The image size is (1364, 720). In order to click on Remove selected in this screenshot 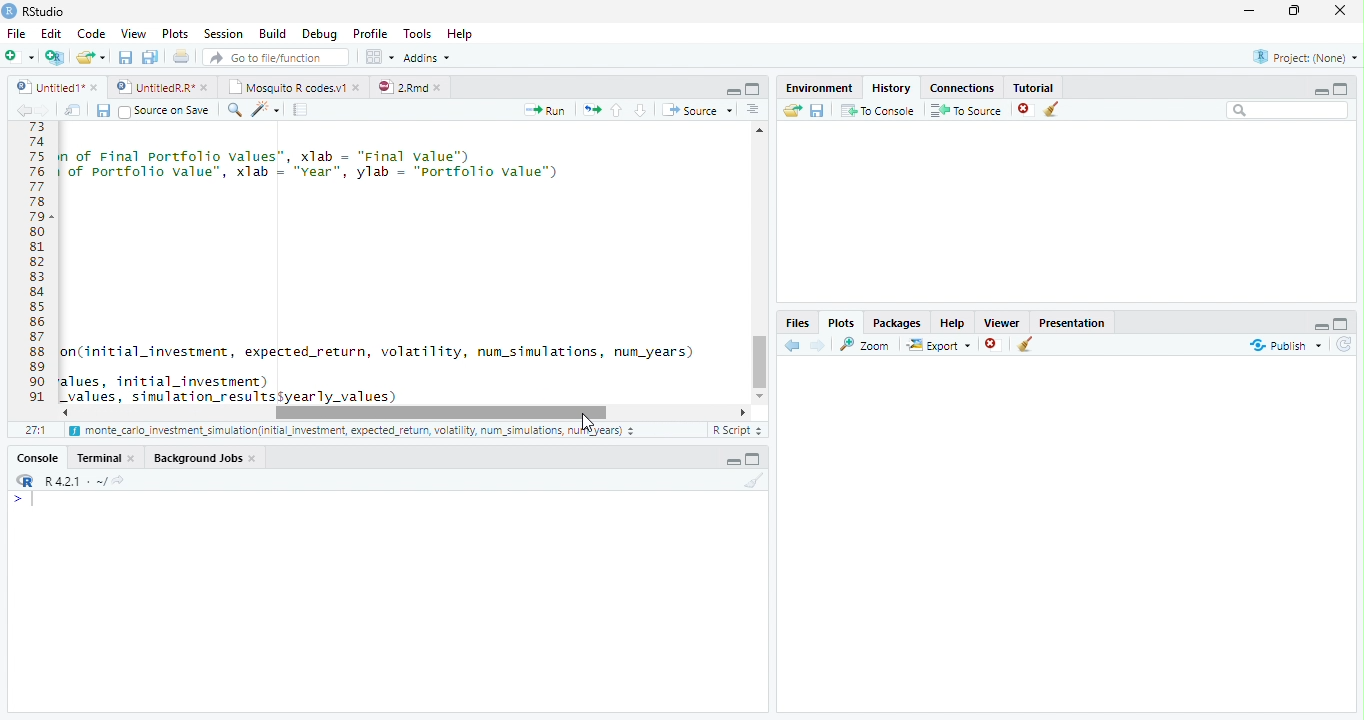, I will do `click(995, 345)`.